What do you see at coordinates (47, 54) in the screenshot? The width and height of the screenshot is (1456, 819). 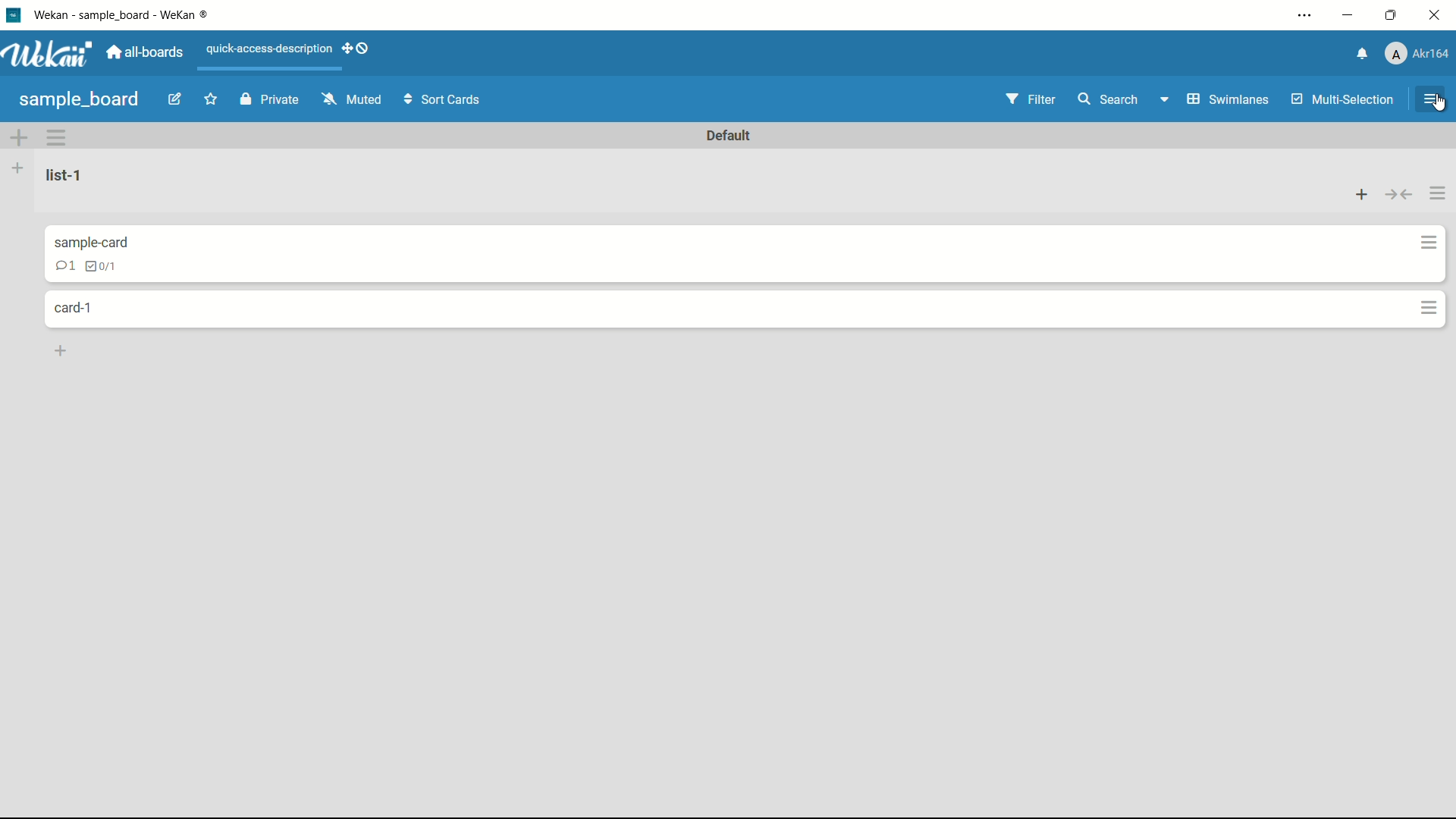 I see `app logo` at bounding box center [47, 54].